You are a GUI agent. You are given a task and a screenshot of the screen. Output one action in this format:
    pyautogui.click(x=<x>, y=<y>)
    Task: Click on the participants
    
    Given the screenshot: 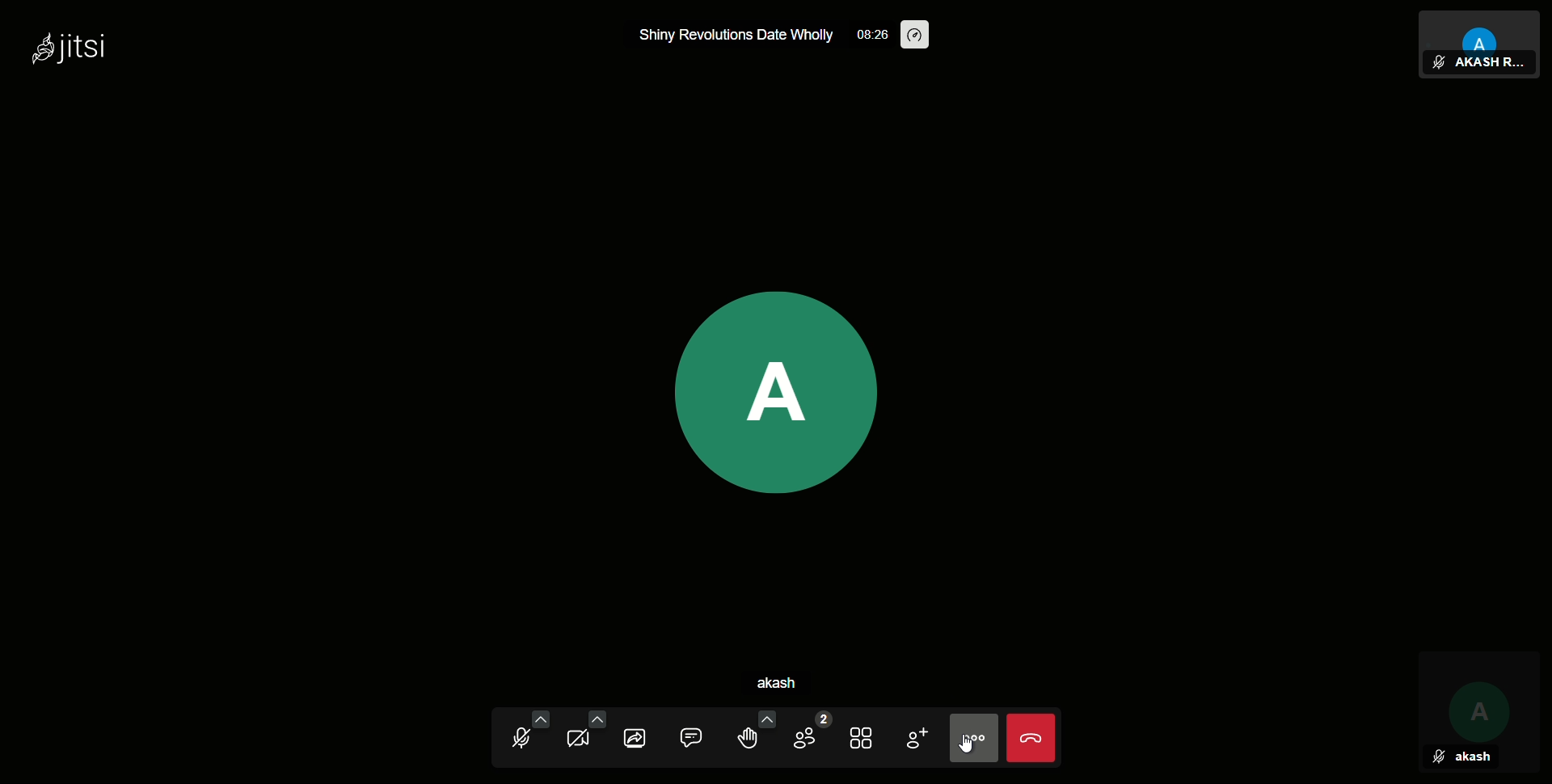 What is the action you would take?
    pyautogui.click(x=808, y=735)
    